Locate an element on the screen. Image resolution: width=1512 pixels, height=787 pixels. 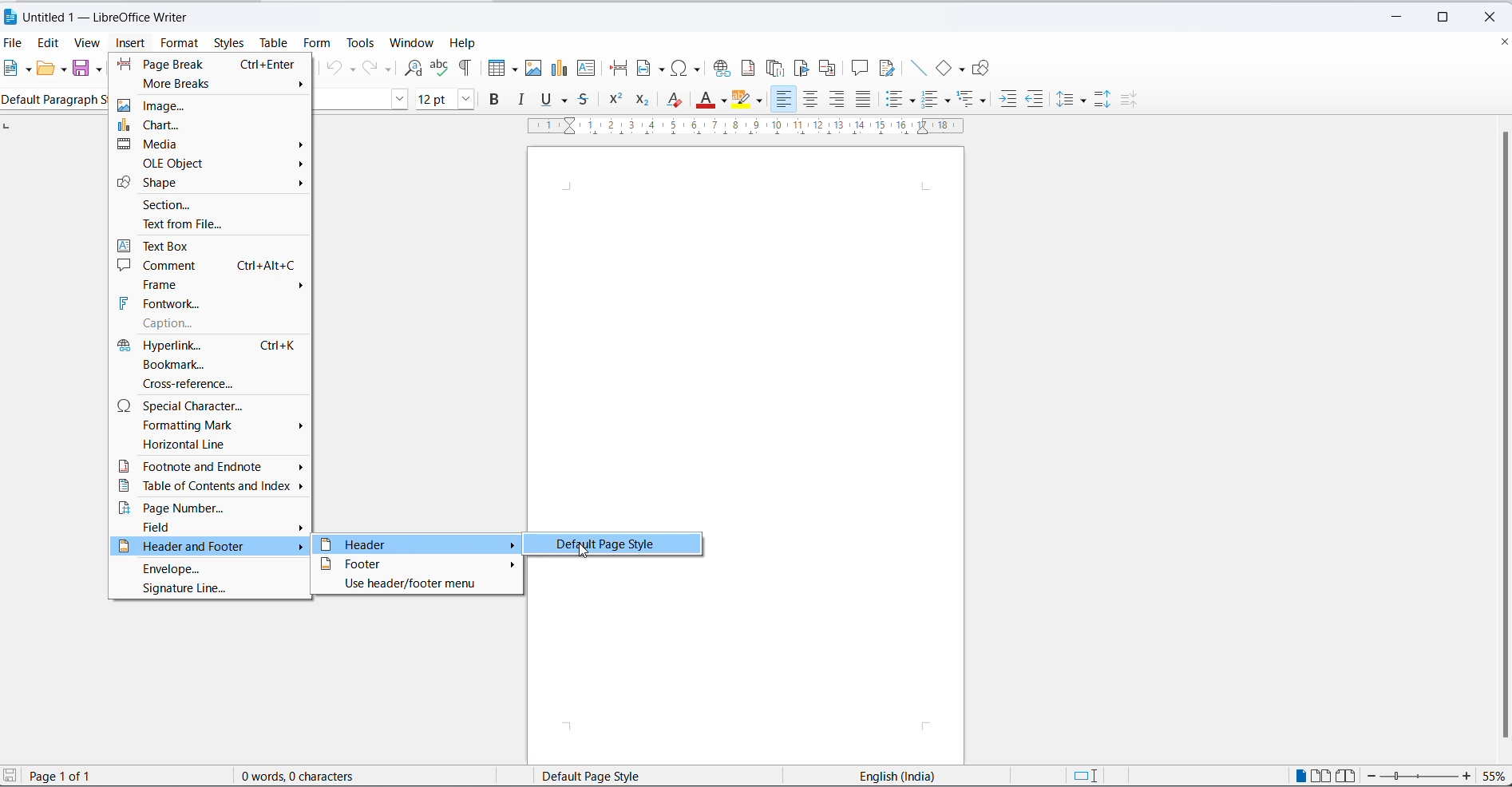
scroll bar is located at coordinates (1498, 436).